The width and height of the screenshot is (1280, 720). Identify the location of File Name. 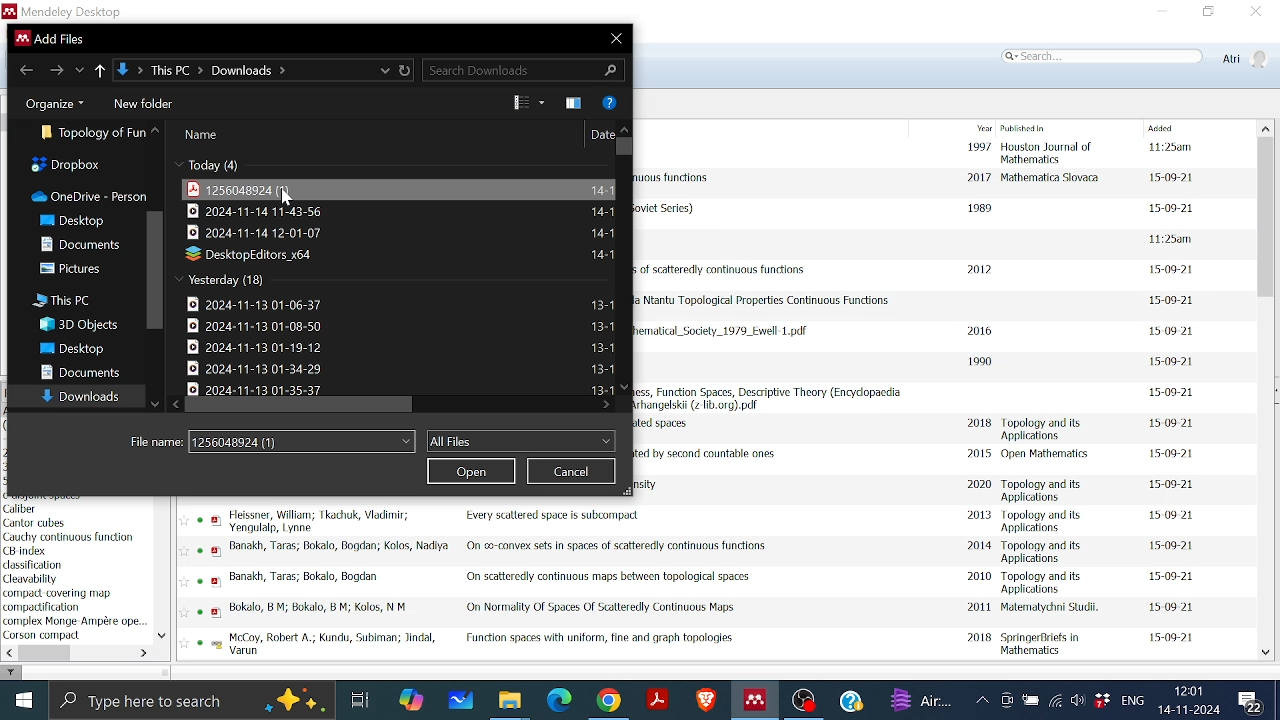
(156, 441).